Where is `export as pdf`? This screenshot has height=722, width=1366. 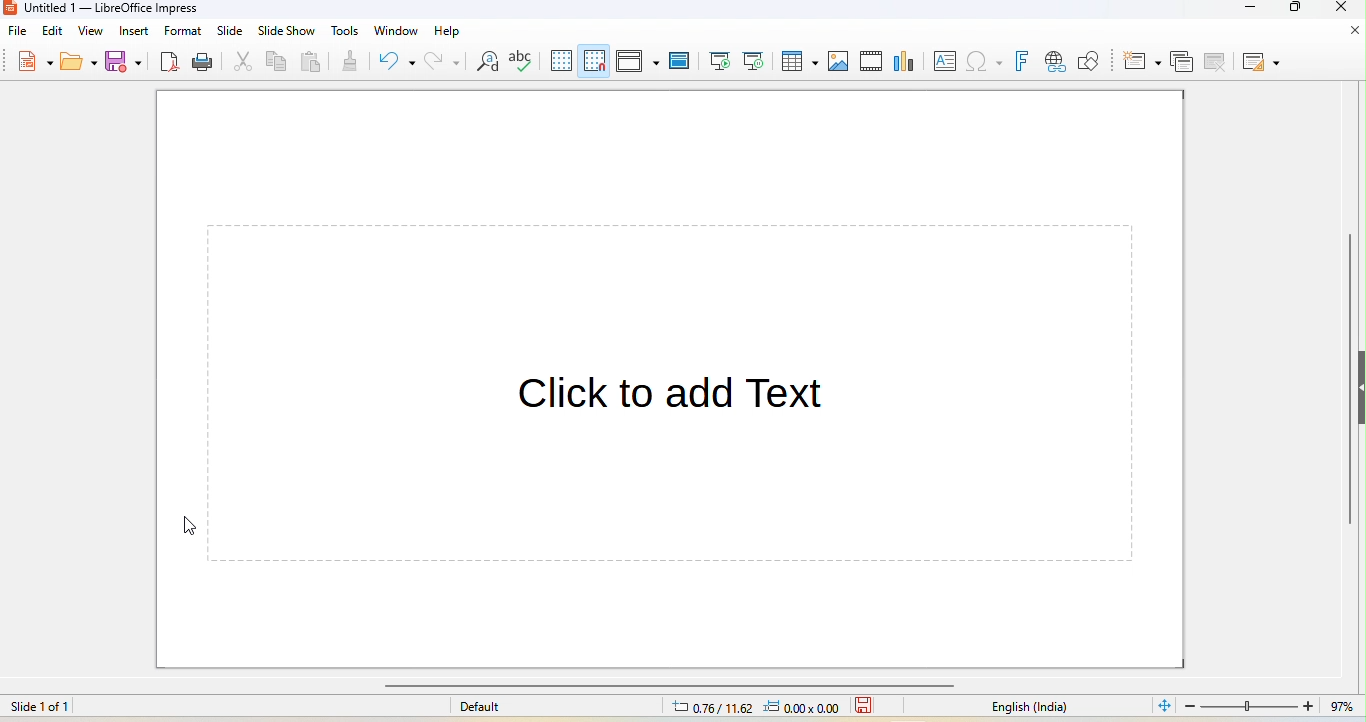
export as pdf is located at coordinates (171, 63).